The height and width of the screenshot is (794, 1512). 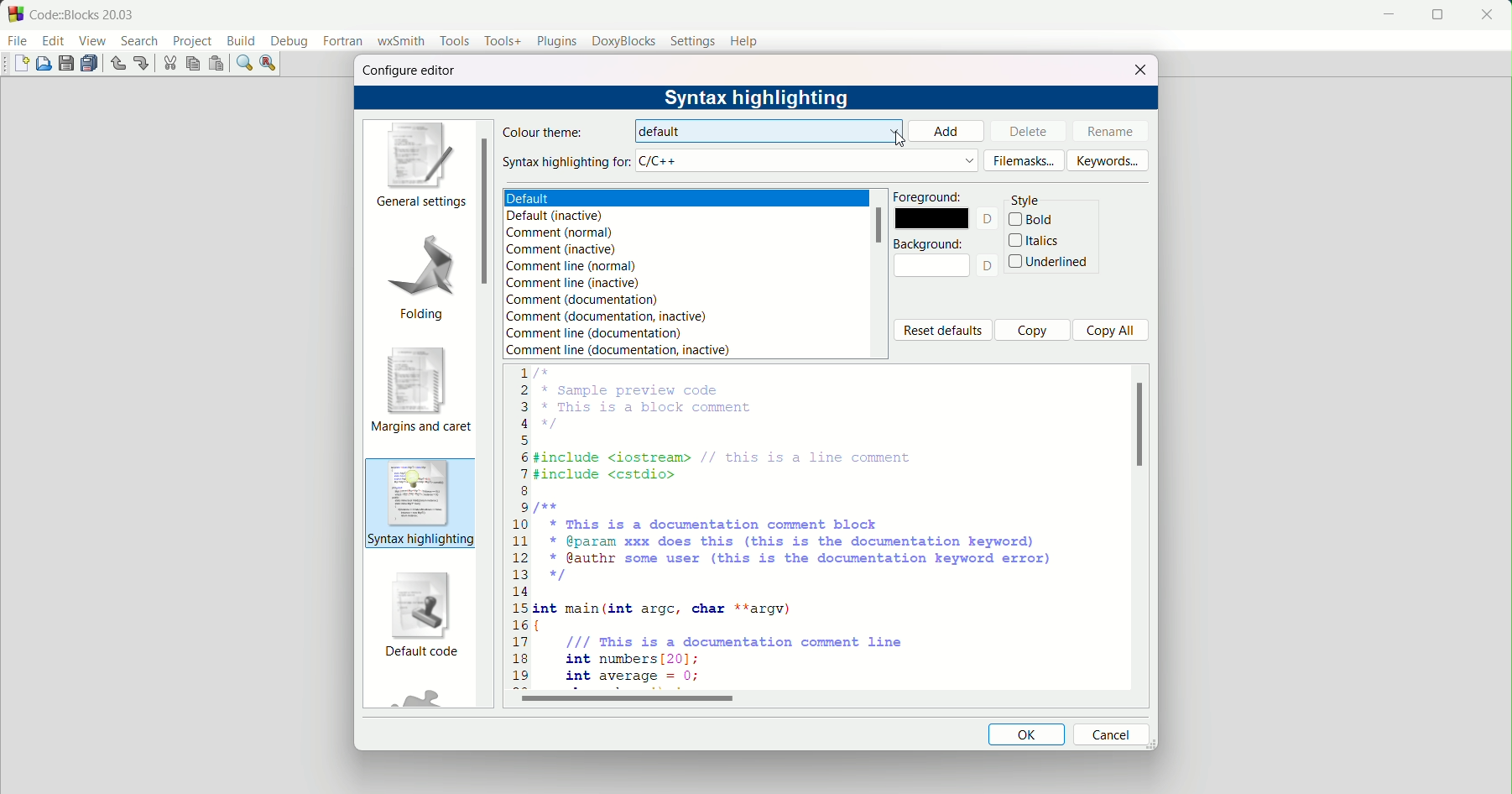 I want to click on wxsmith, so click(x=400, y=43).